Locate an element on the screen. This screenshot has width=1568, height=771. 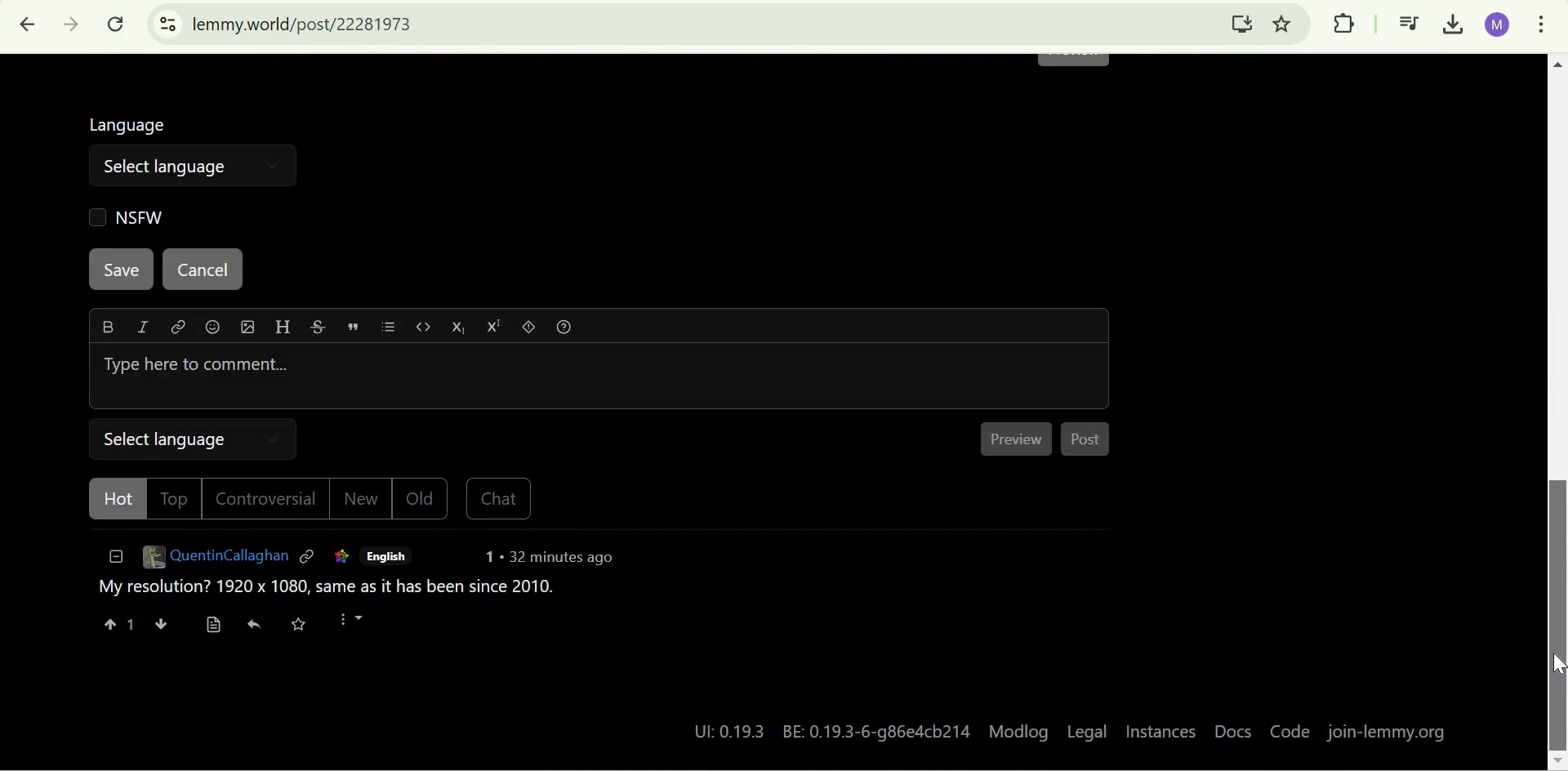
Bold is located at coordinates (108, 327).